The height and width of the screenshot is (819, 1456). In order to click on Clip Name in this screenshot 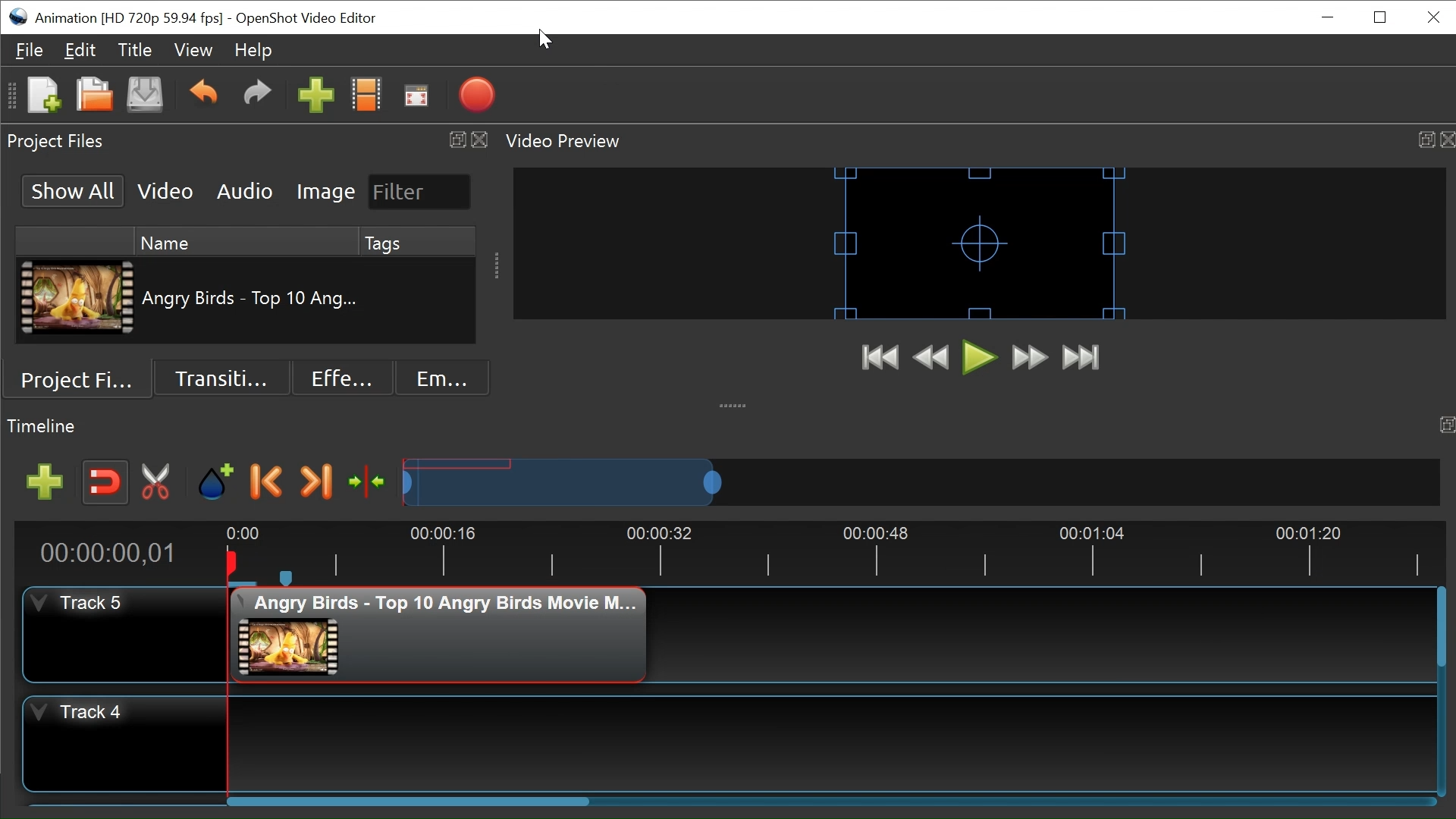, I will do `click(251, 299)`.